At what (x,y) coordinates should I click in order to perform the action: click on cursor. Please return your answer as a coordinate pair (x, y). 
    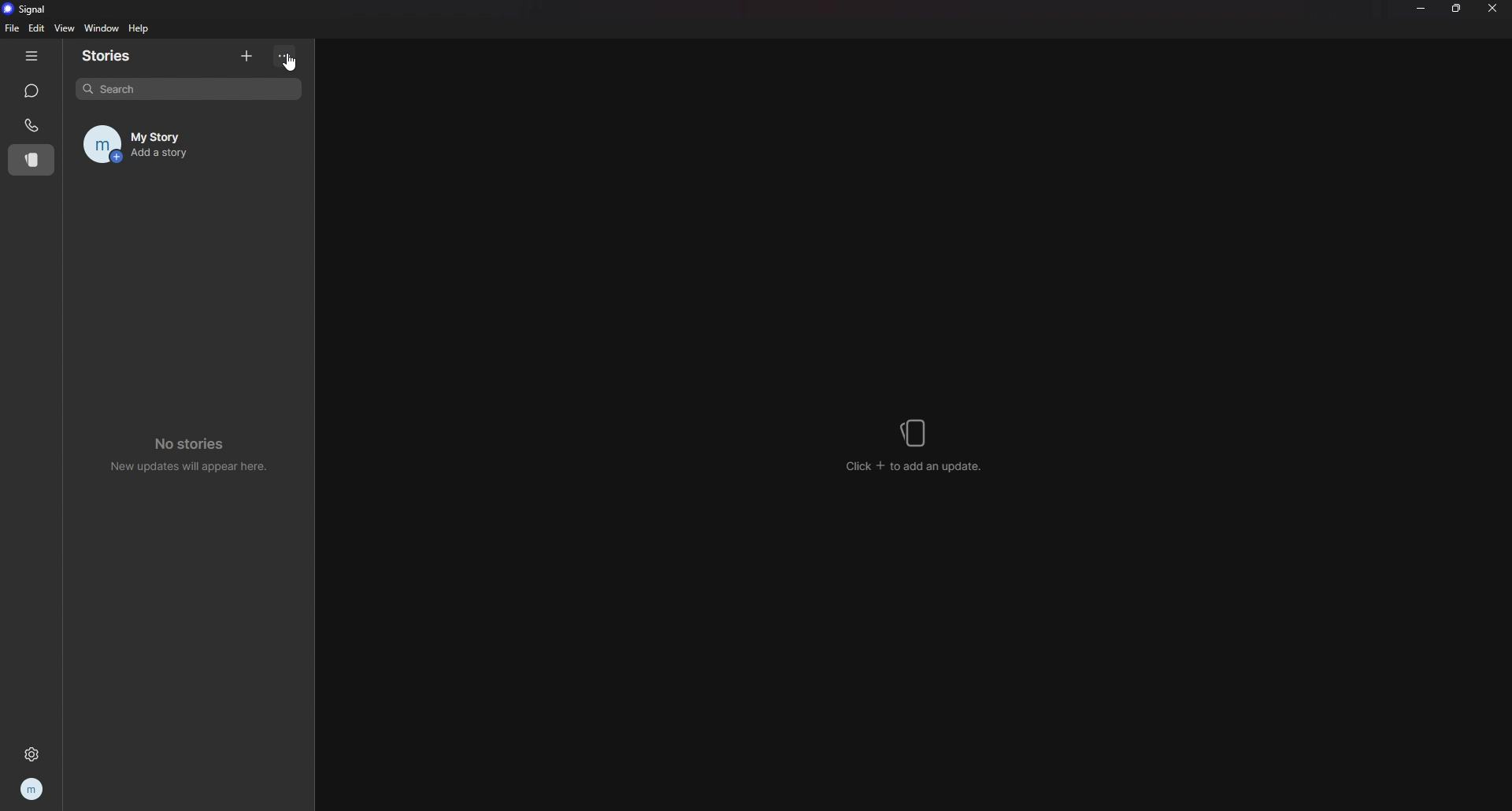
    Looking at the image, I should click on (295, 63).